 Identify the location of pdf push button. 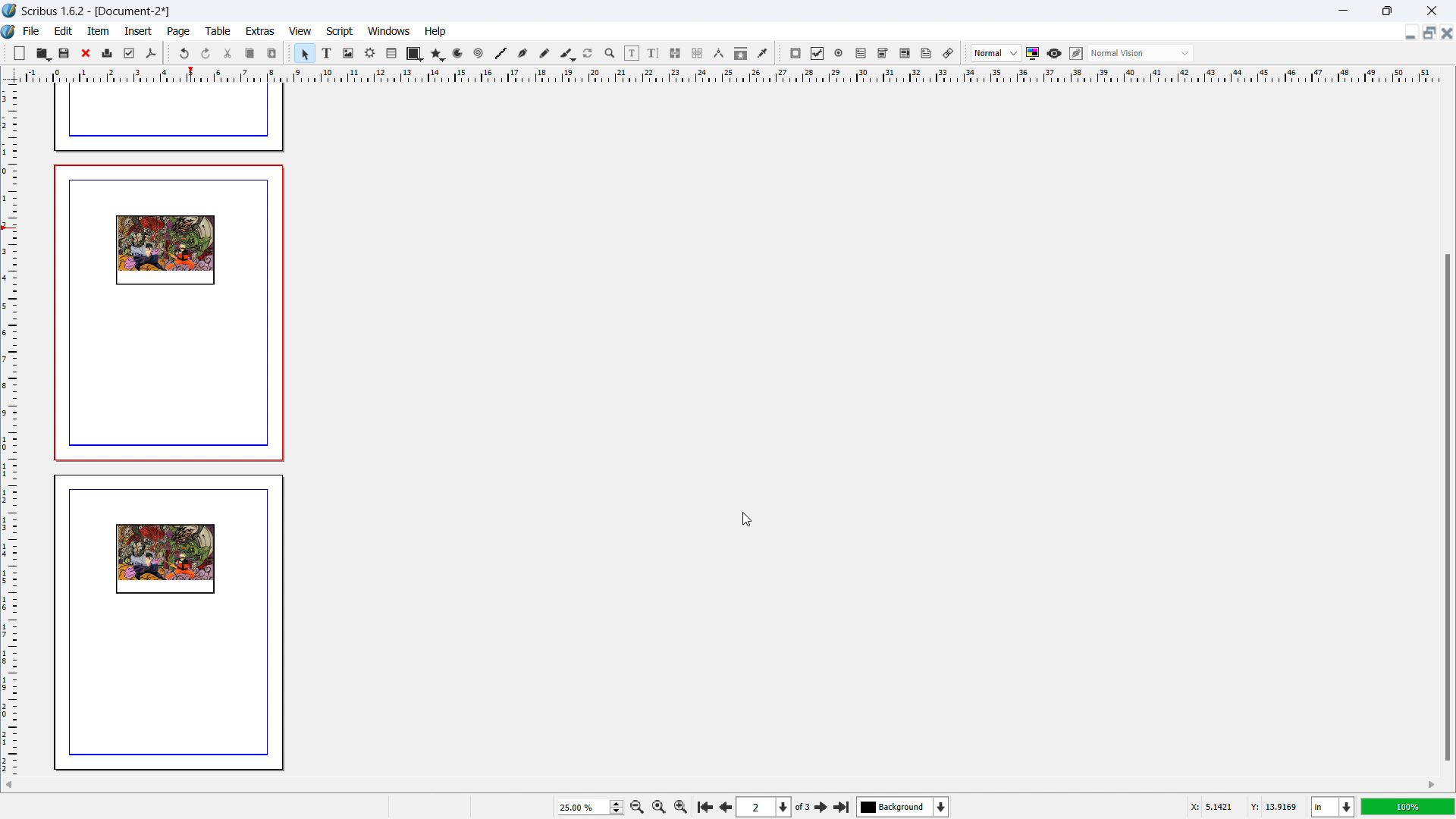
(795, 53).